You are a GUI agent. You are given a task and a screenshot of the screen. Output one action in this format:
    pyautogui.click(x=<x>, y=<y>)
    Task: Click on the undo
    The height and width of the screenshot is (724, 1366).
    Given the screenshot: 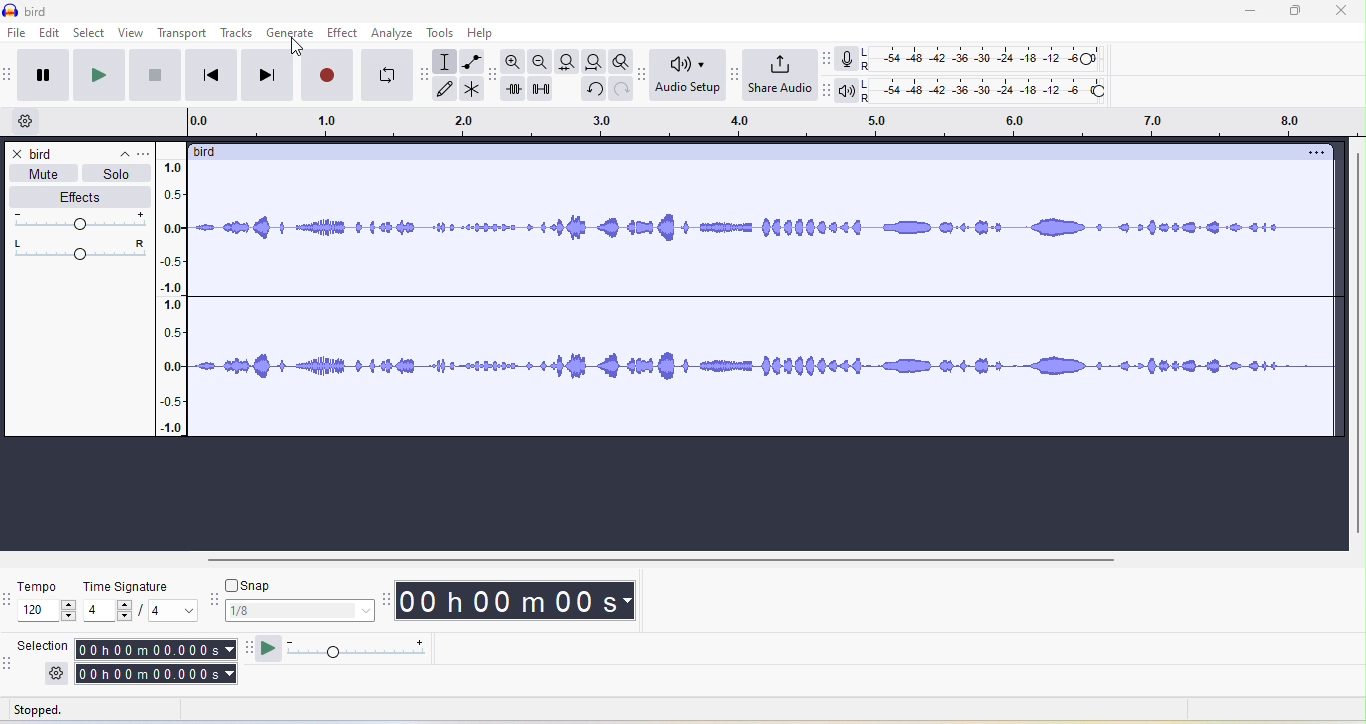 What is the action you would take?
    pyautogui.click(x=592, y=89)
    